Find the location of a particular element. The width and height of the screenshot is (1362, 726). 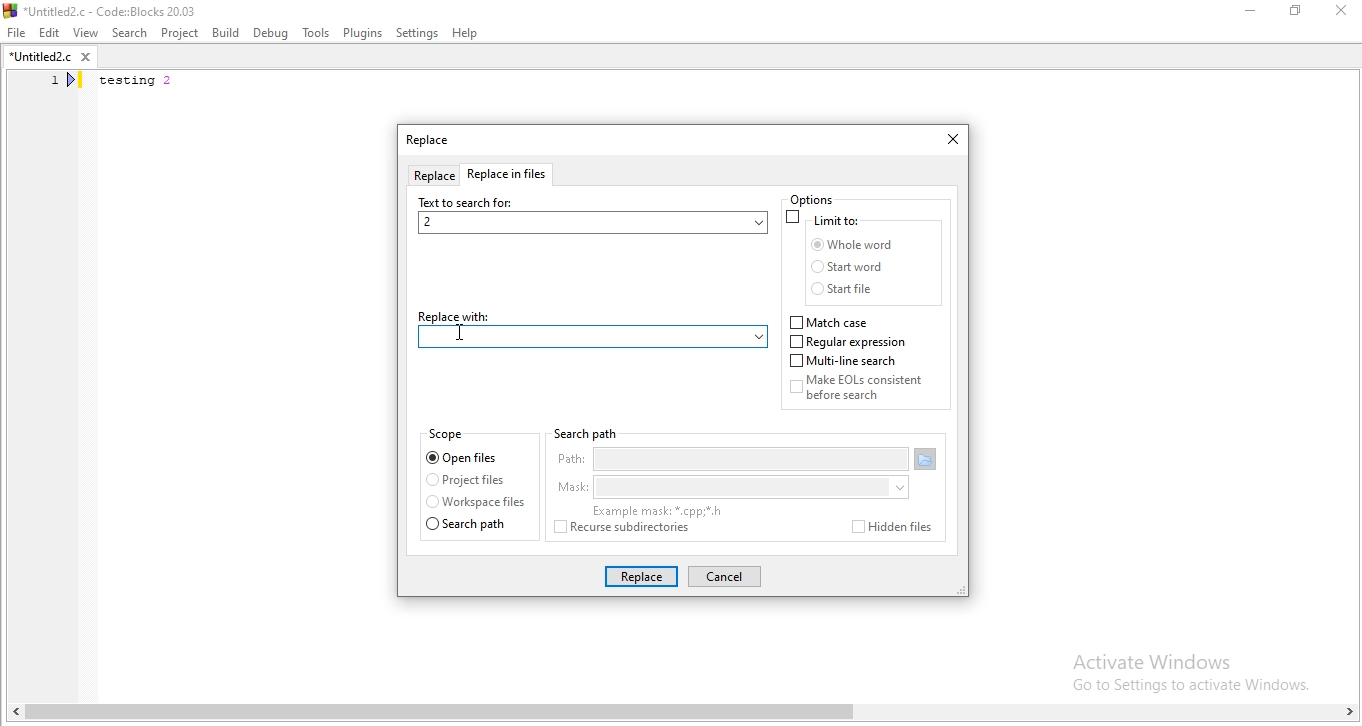

replace files is located at coordinates (511, 176).